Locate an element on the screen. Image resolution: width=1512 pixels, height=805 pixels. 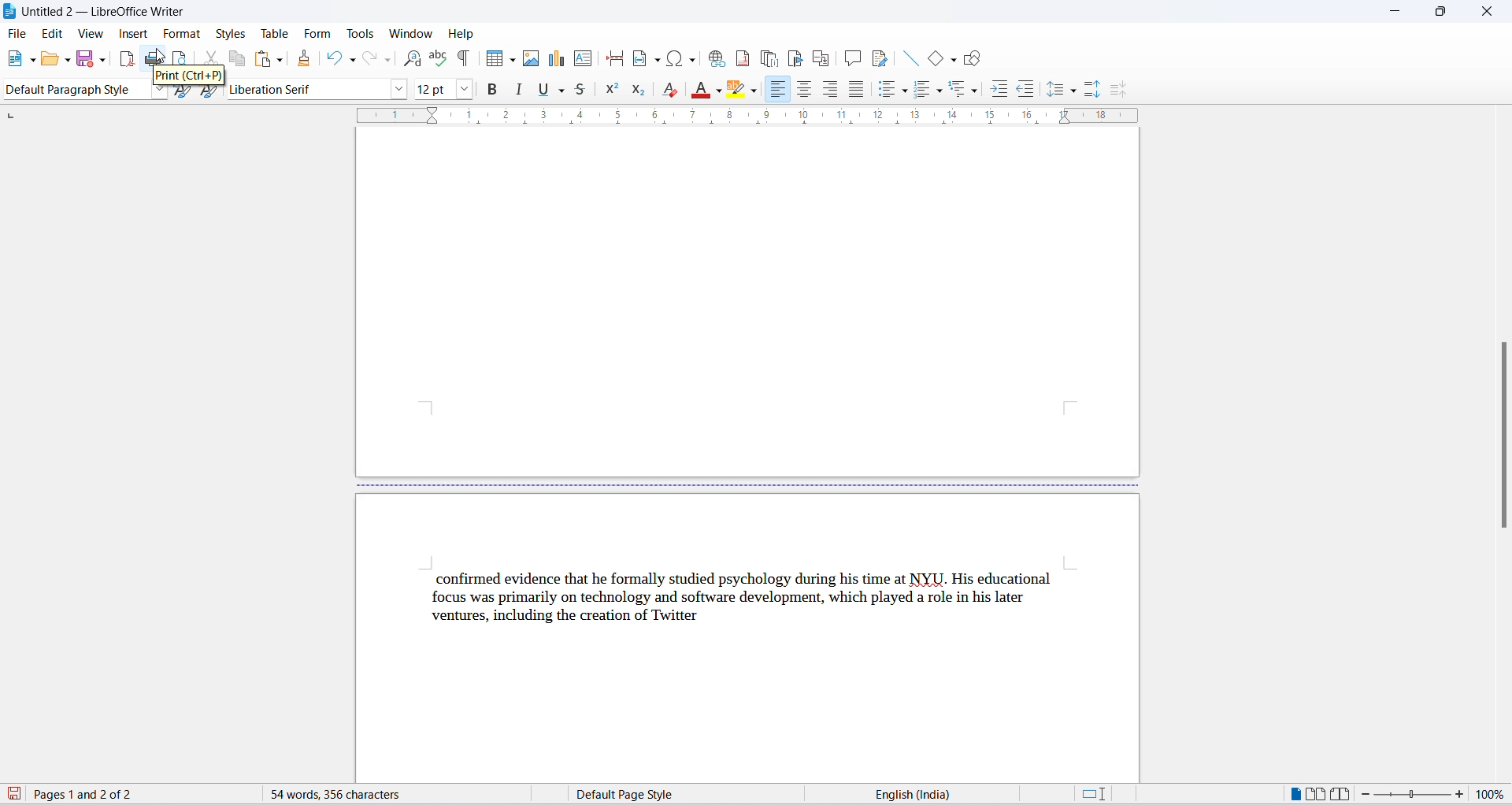
insert text is located at coordinates (584, 58).